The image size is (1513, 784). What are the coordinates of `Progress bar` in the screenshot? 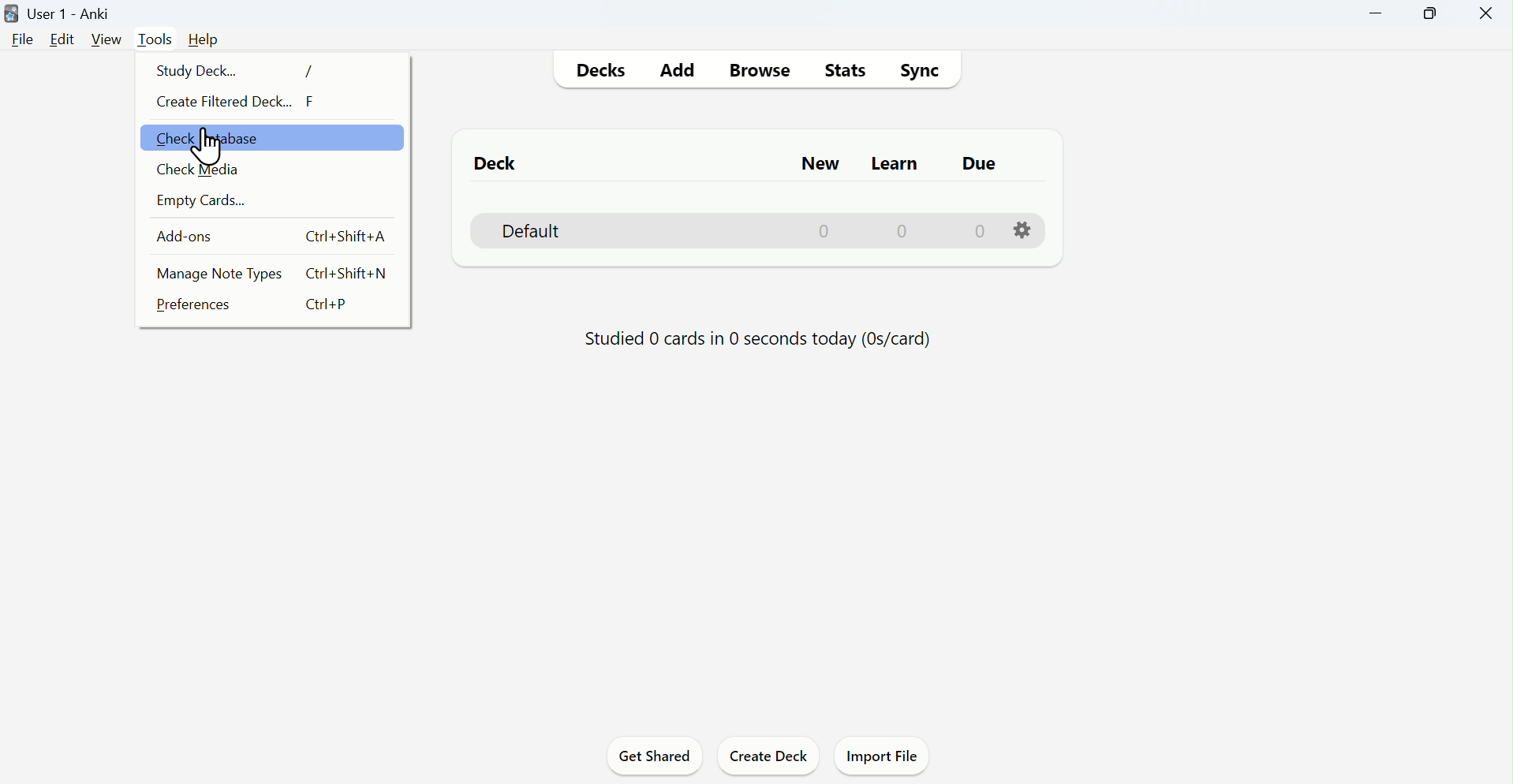 It's located at (760, 338).